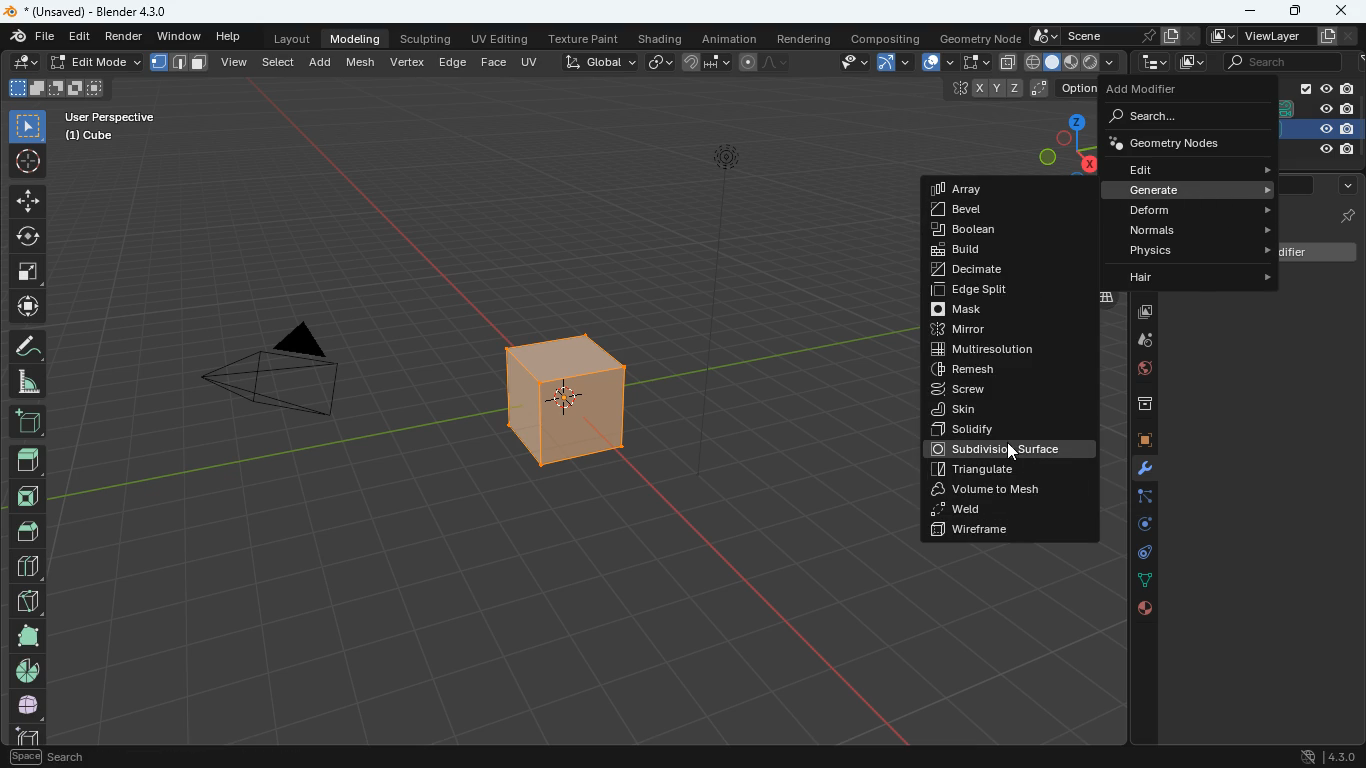 The image size is (1366, 768). Describe the element at coordinates (181, 37) in the screenshot. I see `window` at that location.